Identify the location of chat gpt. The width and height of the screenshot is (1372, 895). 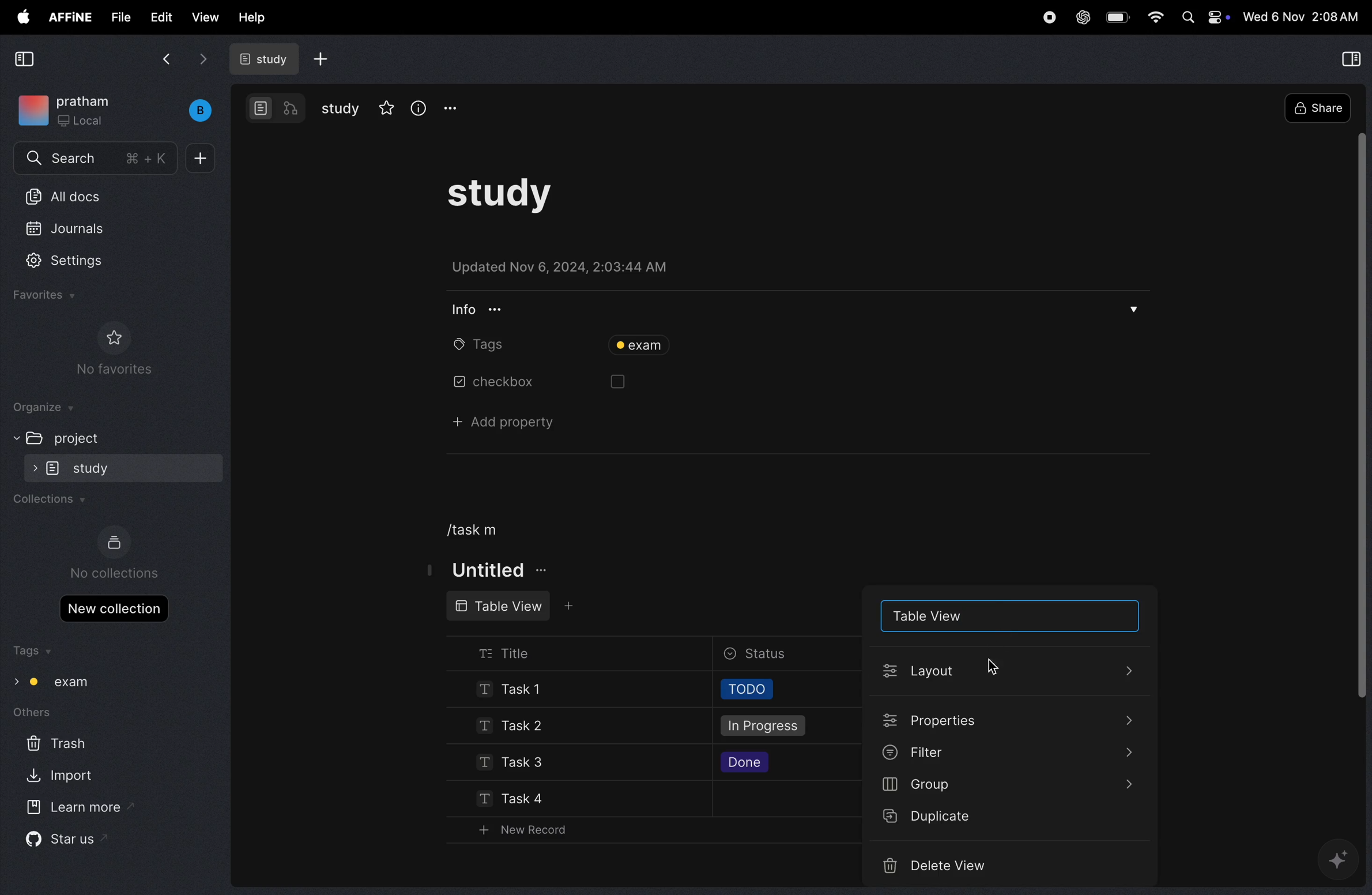
(1079, 18).